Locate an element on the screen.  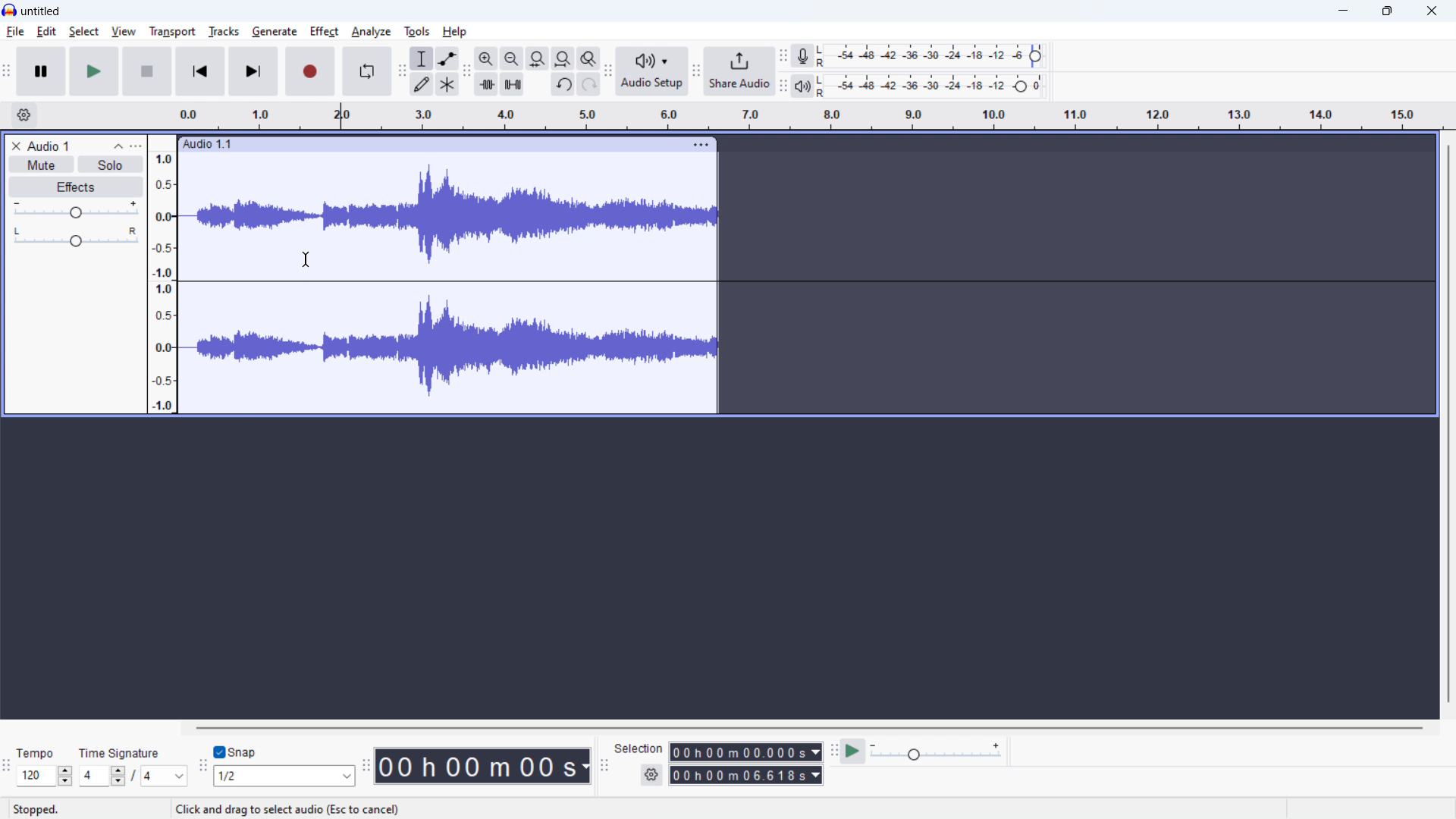
playback level is located at coordinates (934, 86).